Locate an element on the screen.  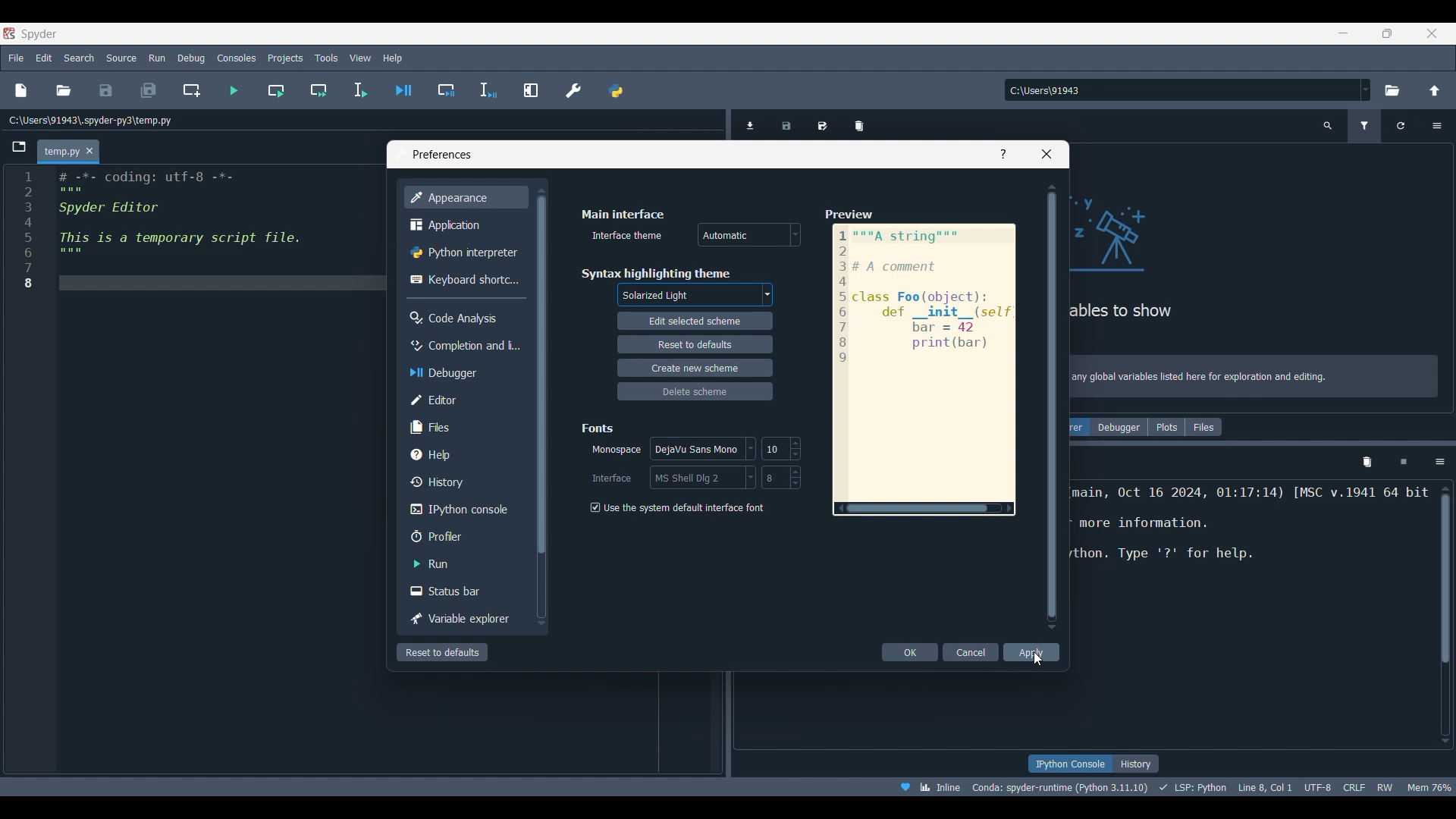
Section title is located at coordinates (598, 428).